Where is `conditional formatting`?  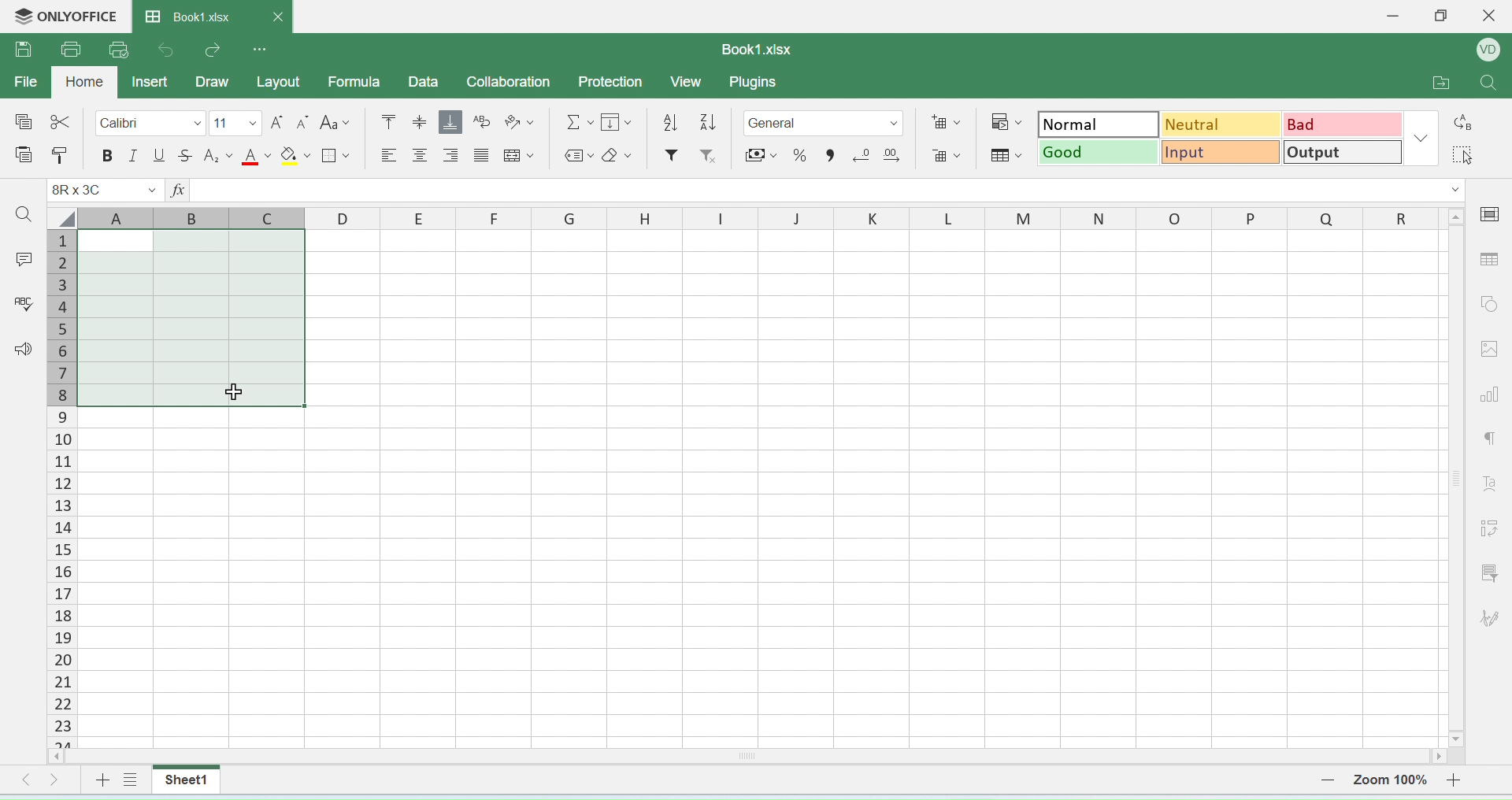
conditional formatting is located at coordinates (1004, 119).